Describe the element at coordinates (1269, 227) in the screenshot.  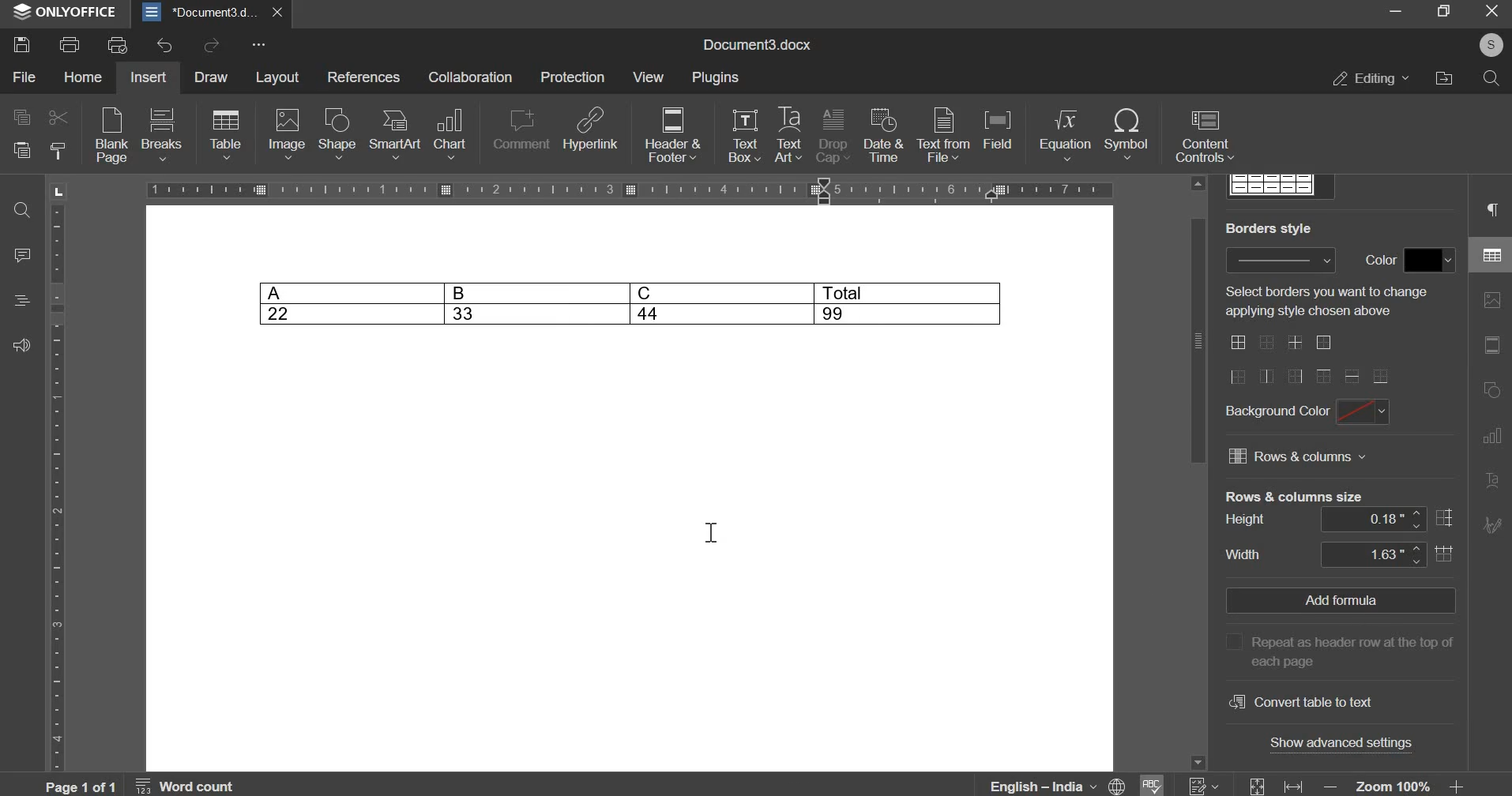
I see `Border Style` at that location.